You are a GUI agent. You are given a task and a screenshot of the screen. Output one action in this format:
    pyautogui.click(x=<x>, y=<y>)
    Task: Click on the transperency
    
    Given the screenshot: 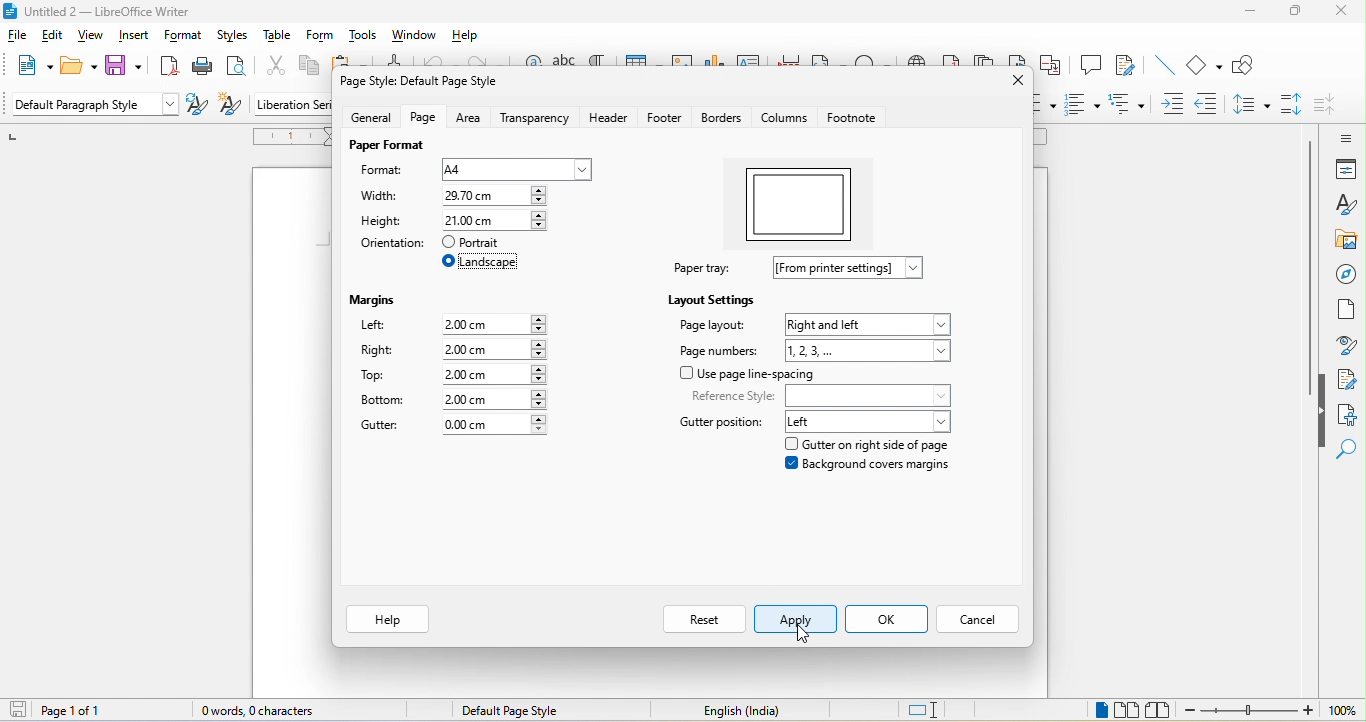 What is the action you would take?
    pyautogui.click(x=533, y=118)
    